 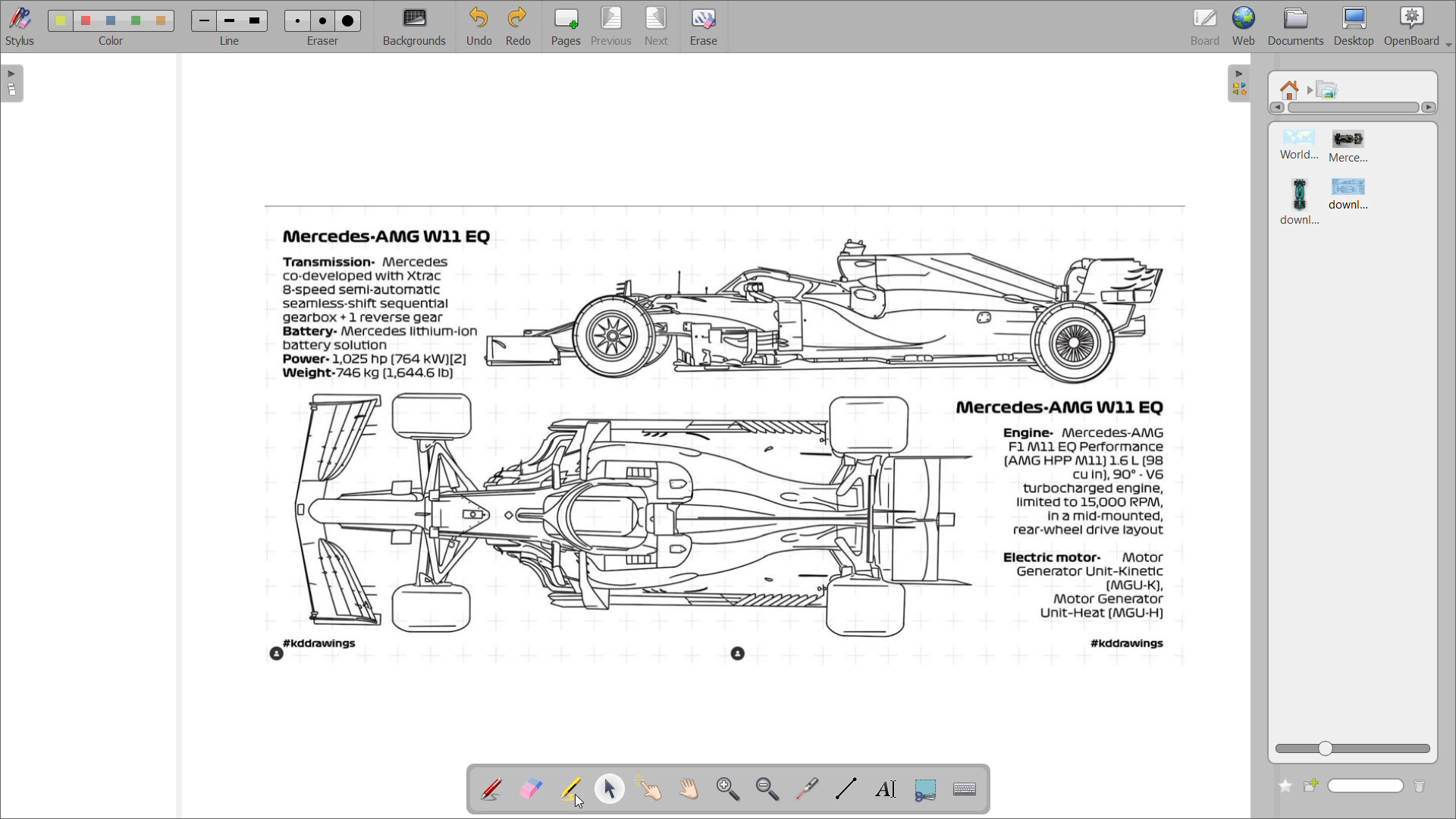 What do you see at coordinates (1350, 750) in the screenshot?
I see `zoom slider` at bounding box center [1350, 750].